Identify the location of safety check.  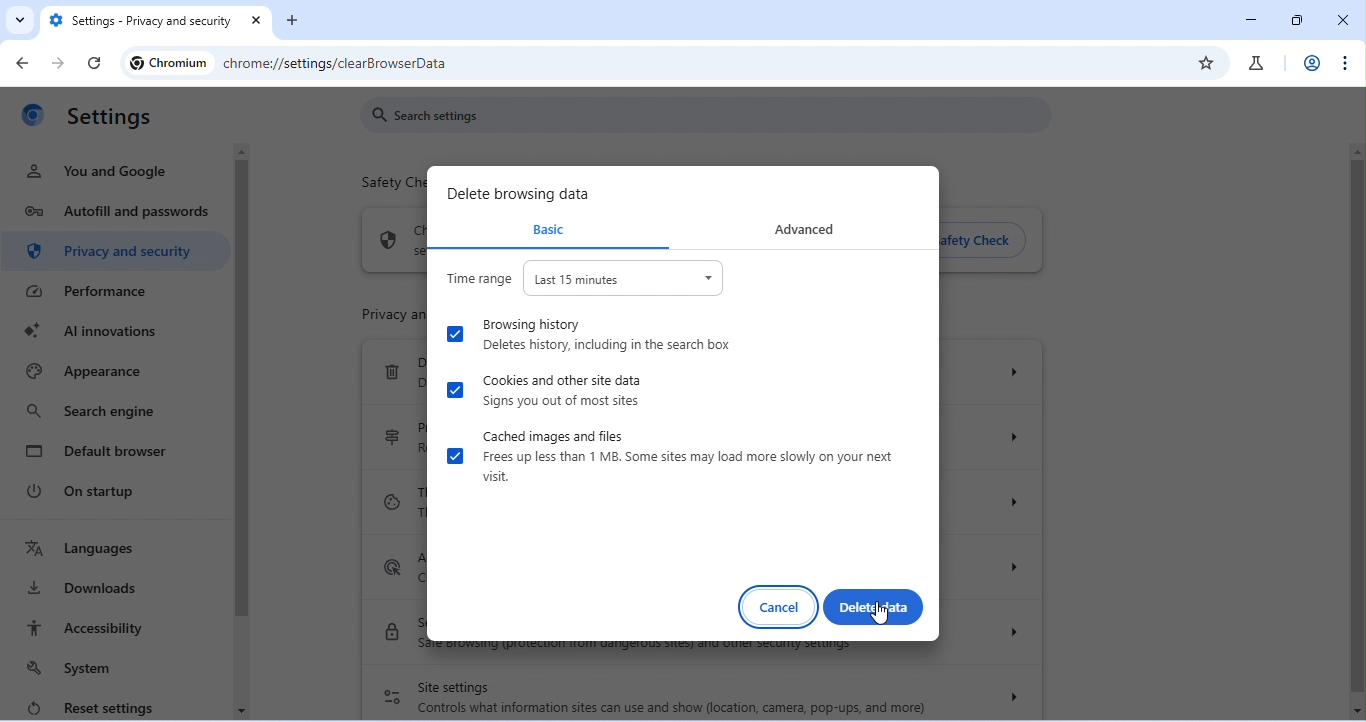
(986, 242).